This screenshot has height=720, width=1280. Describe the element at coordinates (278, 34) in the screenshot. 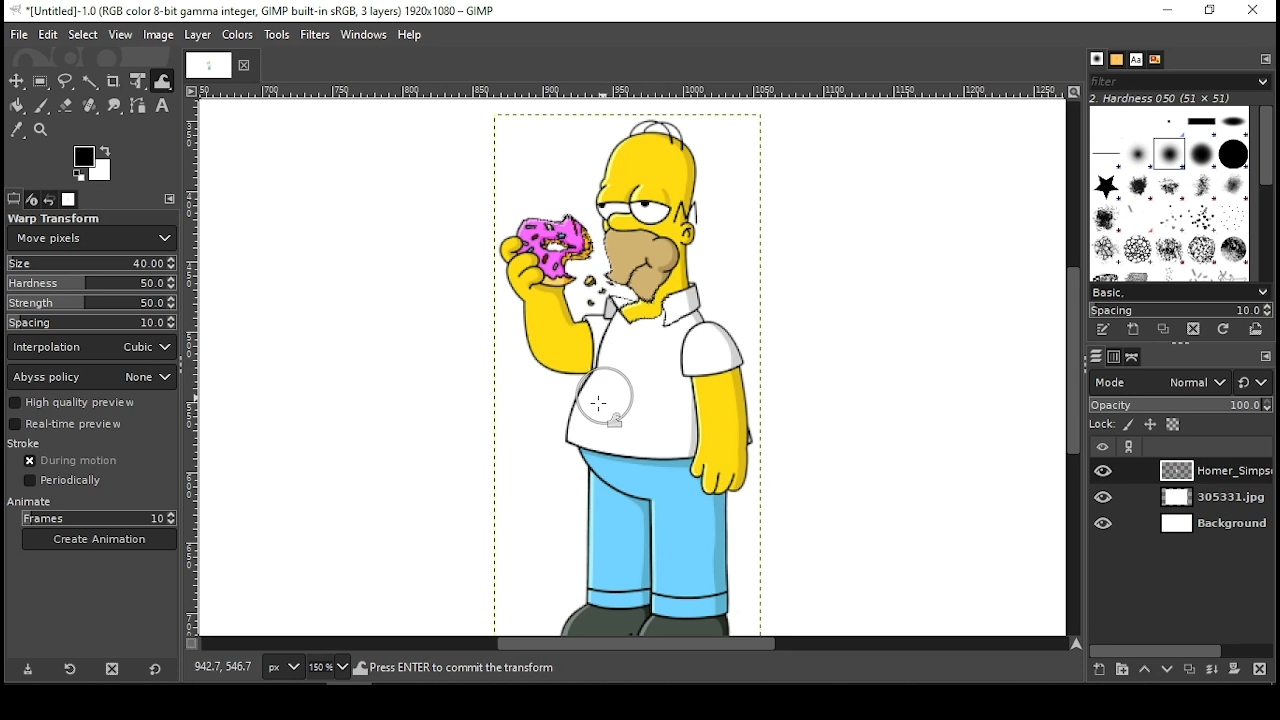

I see `tools` at that location.